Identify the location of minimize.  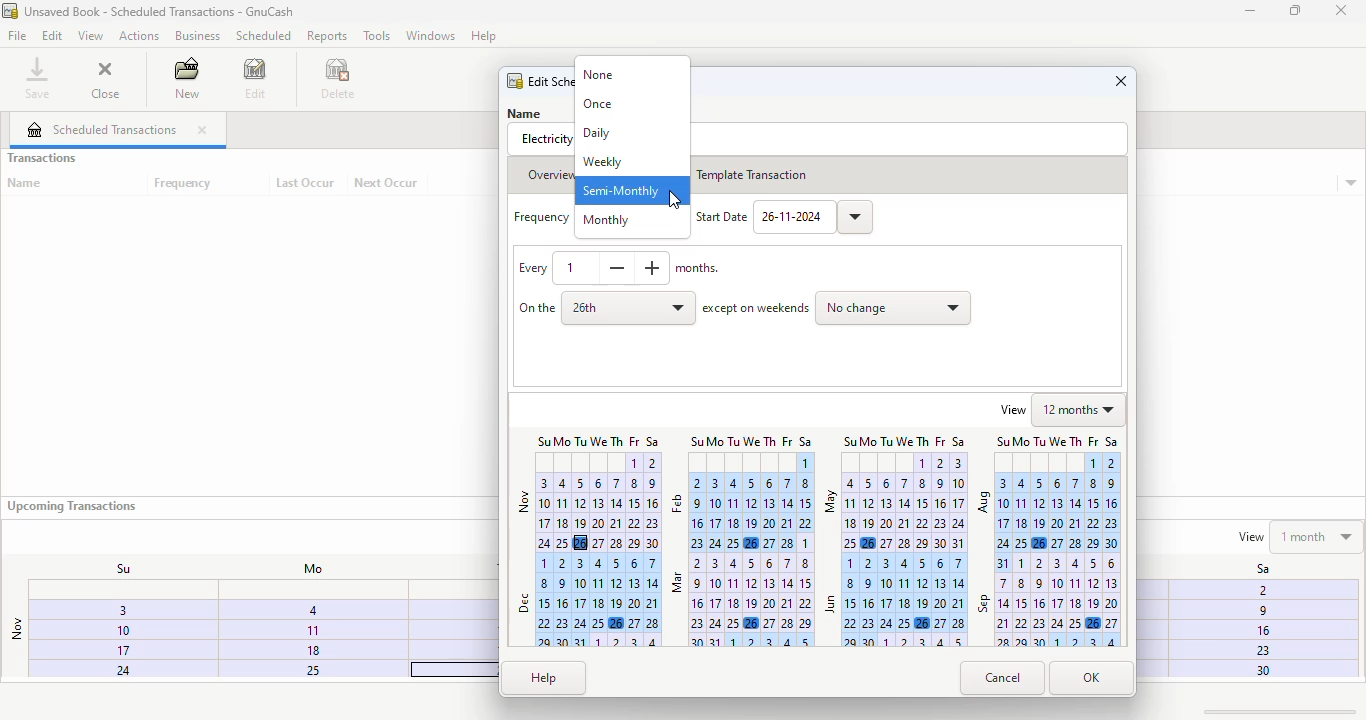
(1250, 11).